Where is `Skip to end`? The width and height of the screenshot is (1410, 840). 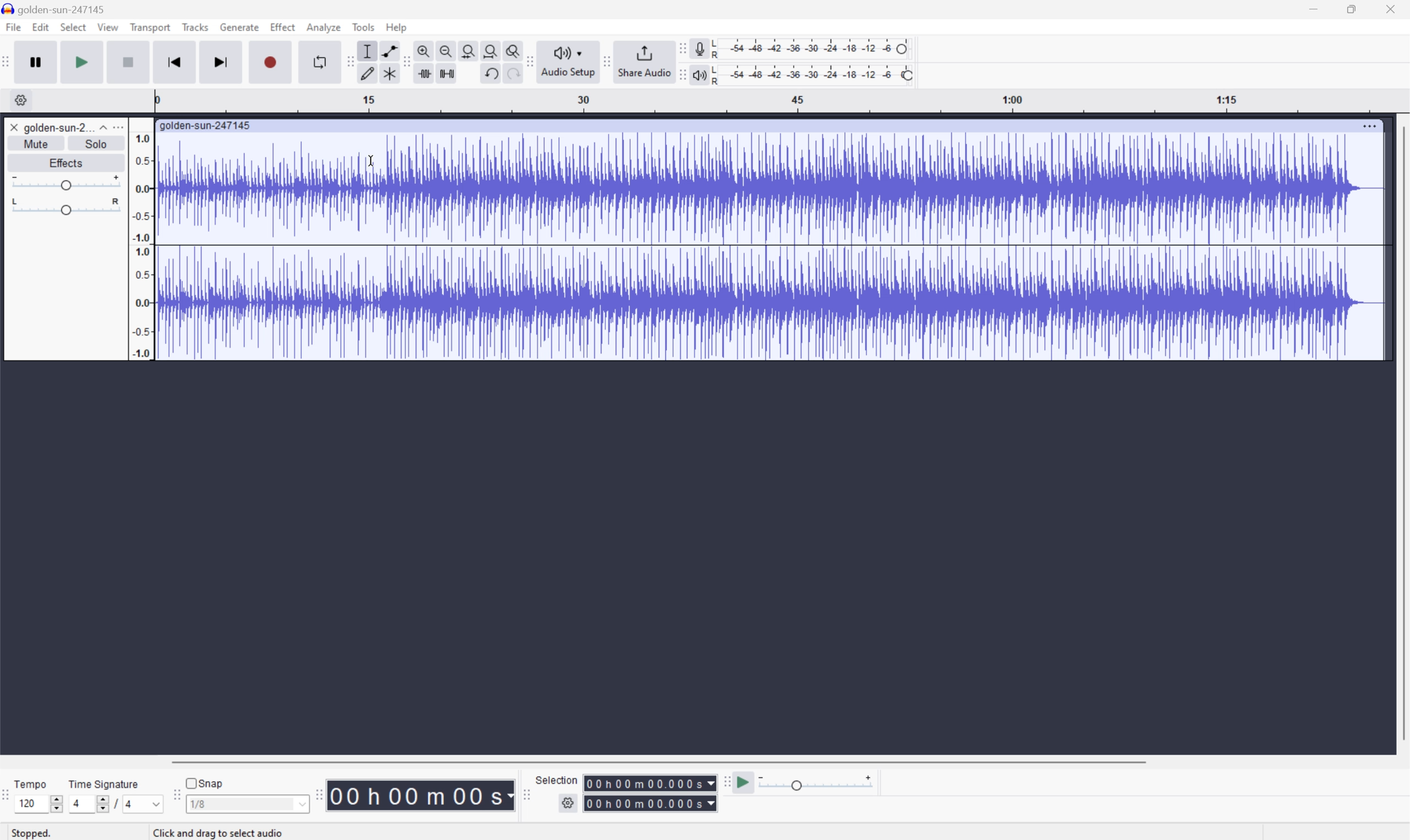
Skip to end is located at coordinates (222, 62).